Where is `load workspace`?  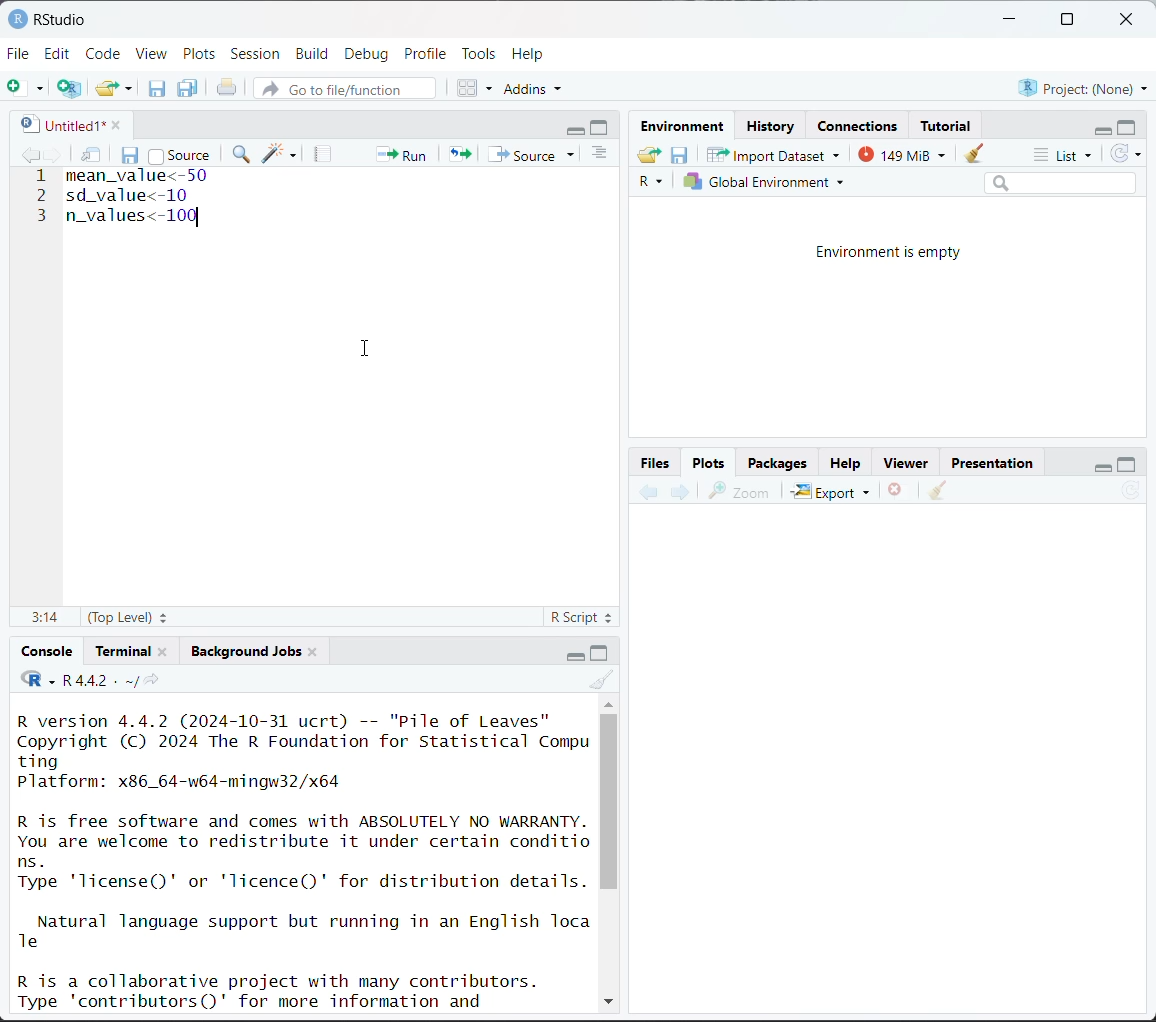
load workspace is located at coordinates (652, 157).